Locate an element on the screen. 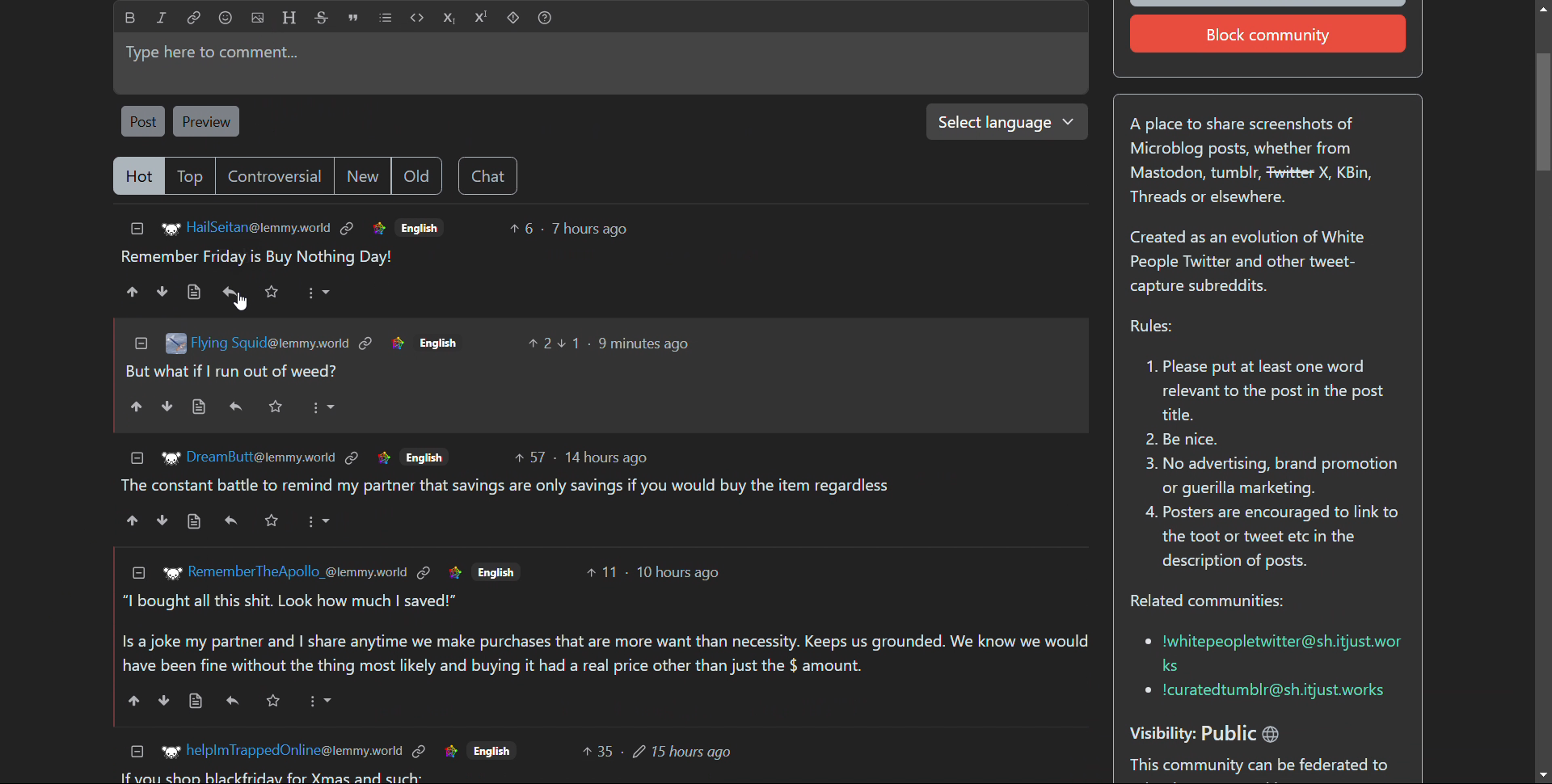  3. No advertising, brand promotion
or guerilla marketing. is located at coordinates (1269, 476).